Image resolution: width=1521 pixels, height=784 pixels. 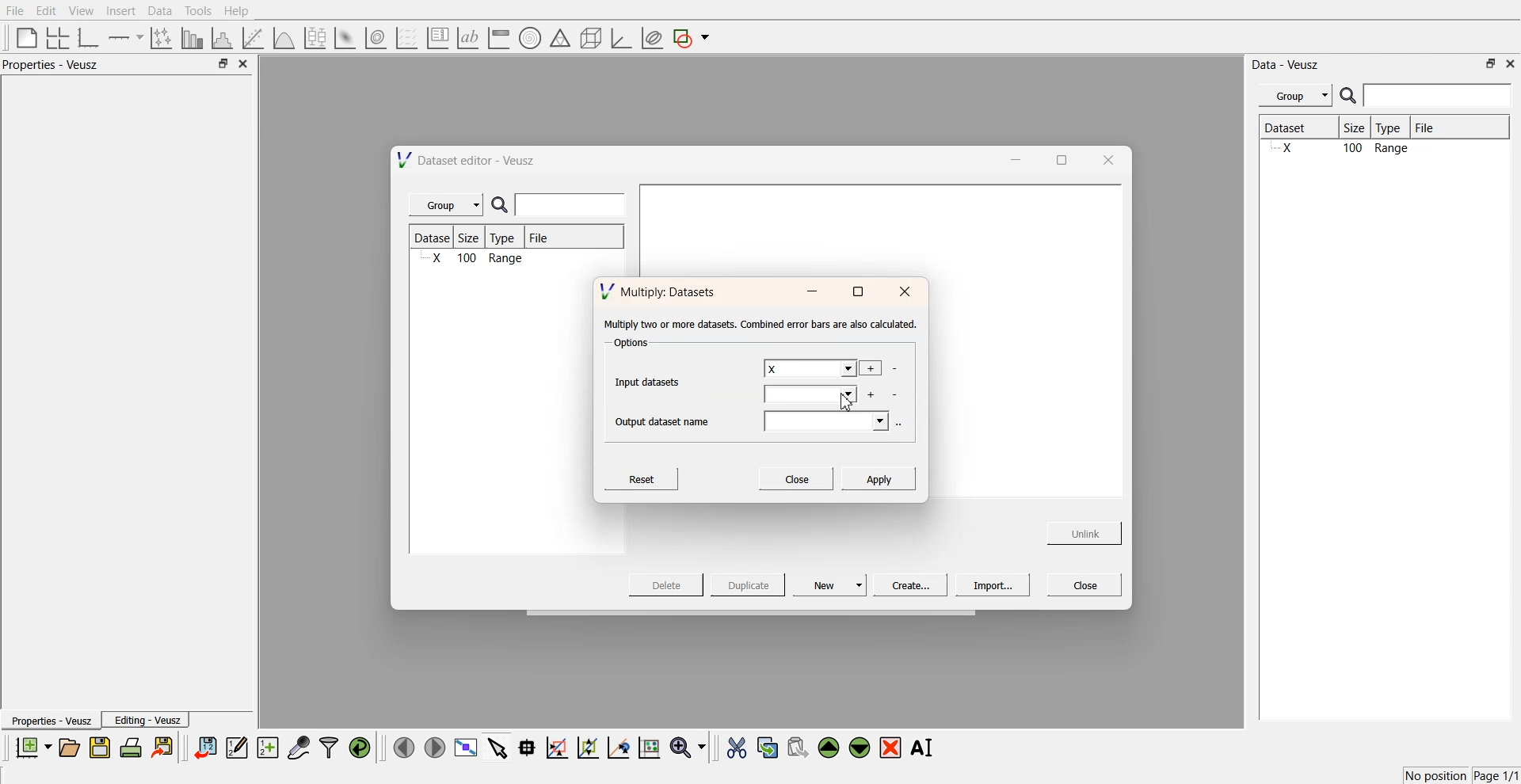 What do you see at coordinates (768, 747) in the screenshot?
I see `copy the selected widgets` at bounding box center [768, 747].